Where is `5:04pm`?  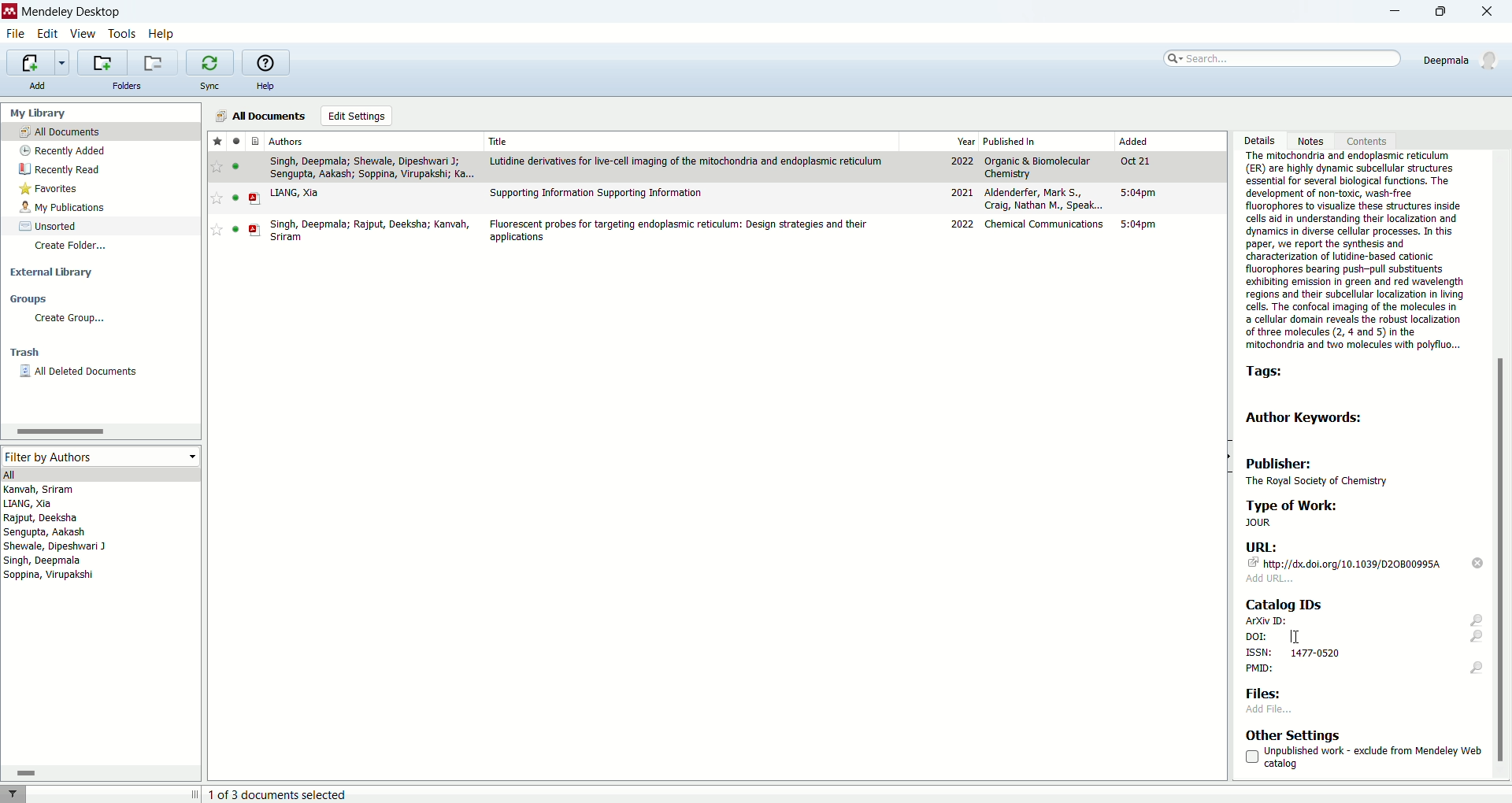
5:04pm is located at coordinates (1139, 192).